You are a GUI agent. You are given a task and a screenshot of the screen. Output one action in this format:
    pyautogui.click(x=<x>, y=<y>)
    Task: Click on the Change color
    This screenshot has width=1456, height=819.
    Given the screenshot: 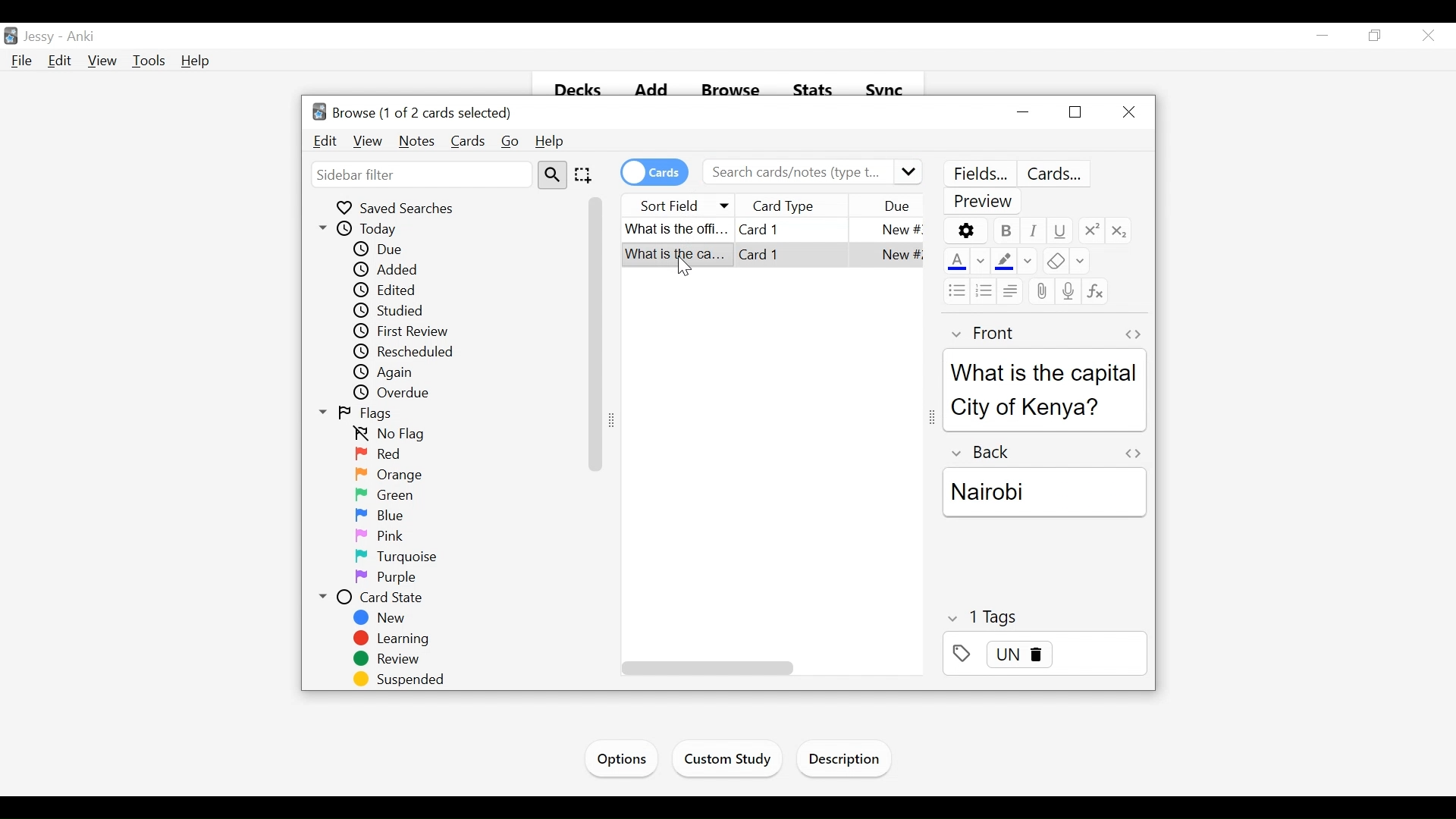 What is the action you would take?
    pyautogui.click(x=1028, y=262)
    